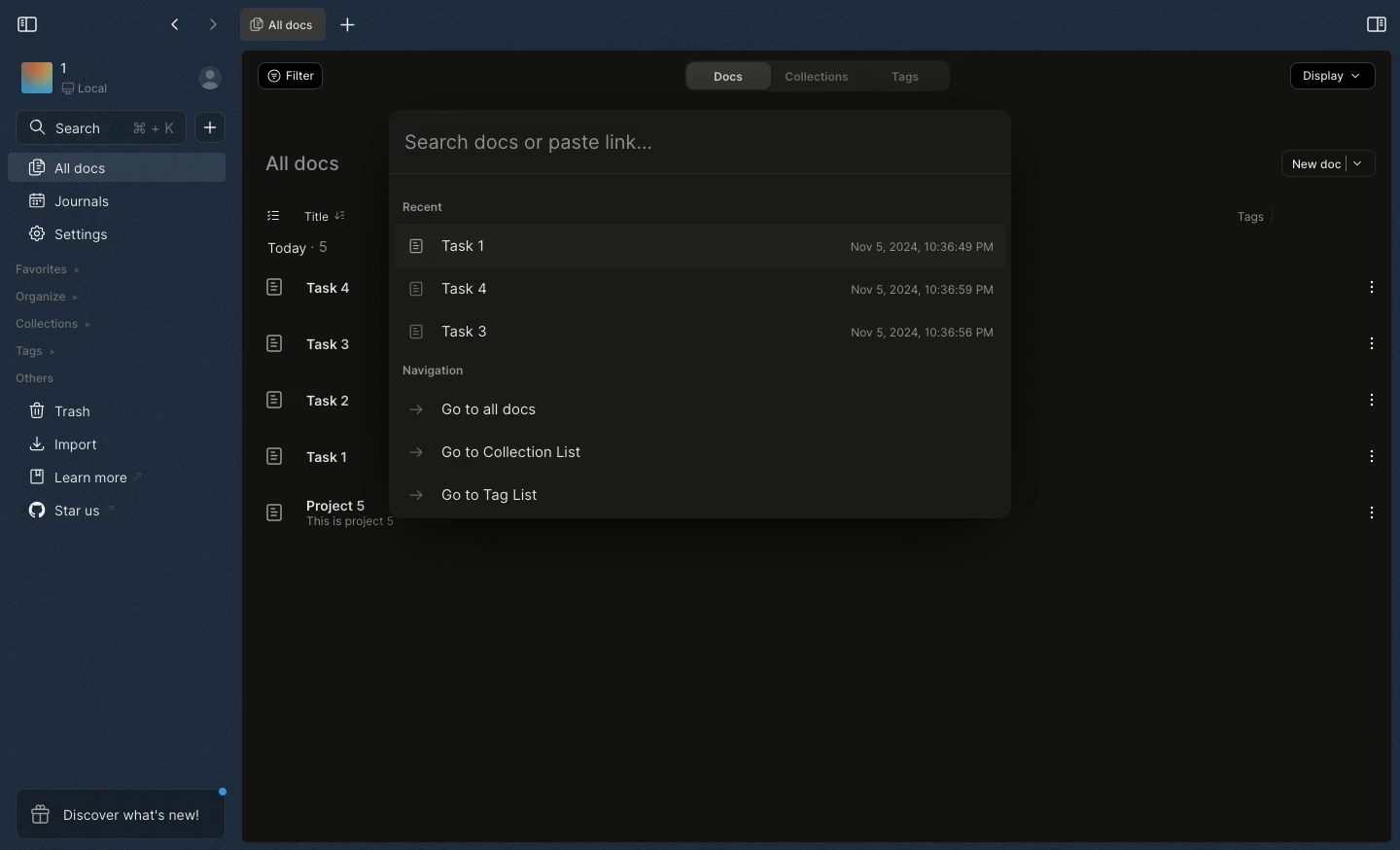  I want to click on Go to tag list, so click(477, 496).